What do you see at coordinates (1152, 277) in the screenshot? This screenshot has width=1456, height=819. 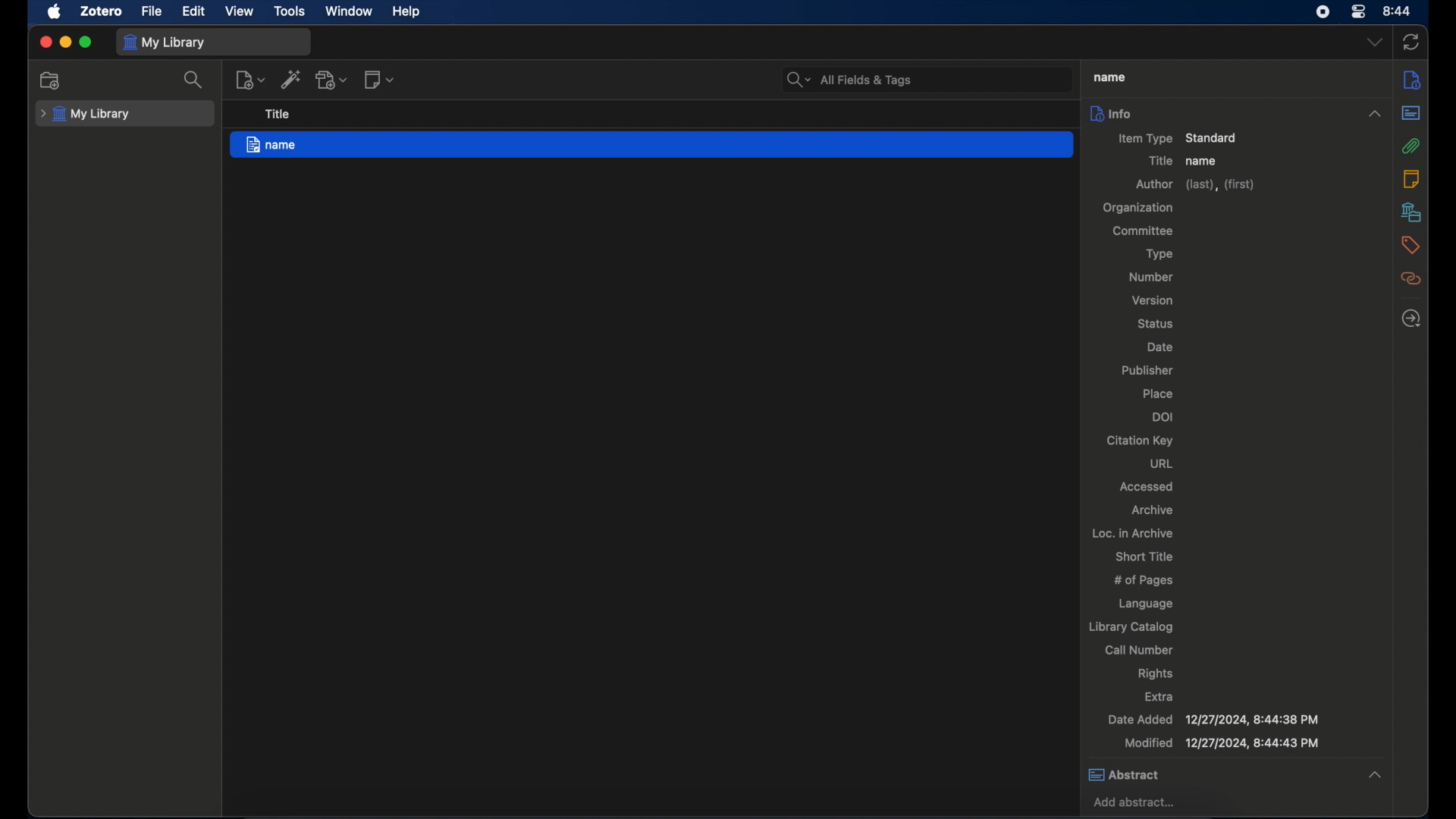 I see `number` at bounding box center [1152, 277].